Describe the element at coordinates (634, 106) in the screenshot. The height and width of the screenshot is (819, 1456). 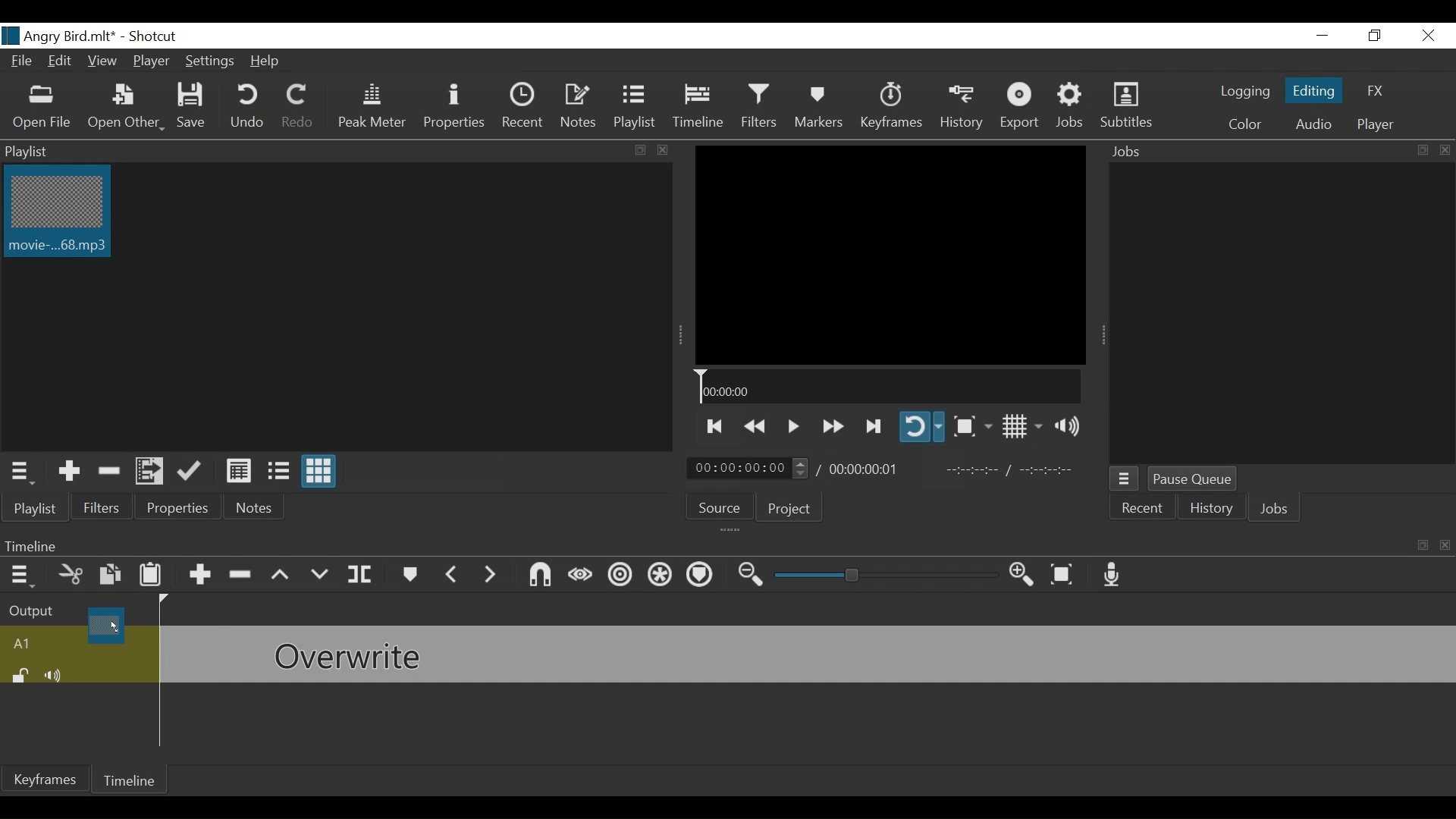
I see `Playlist` at that location.